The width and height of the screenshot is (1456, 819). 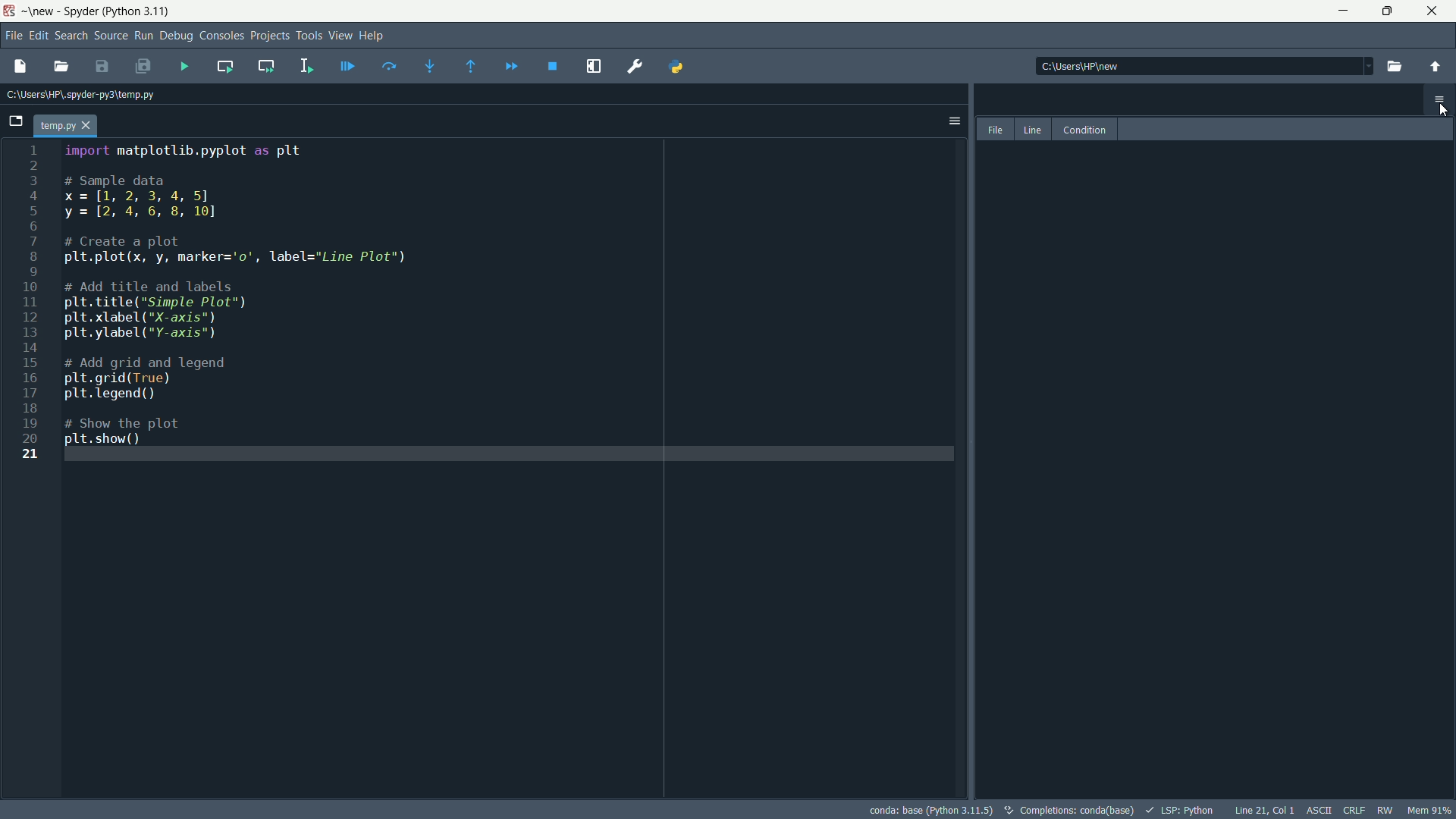 I want to click on parent directory, so click(x=1437, y=67).